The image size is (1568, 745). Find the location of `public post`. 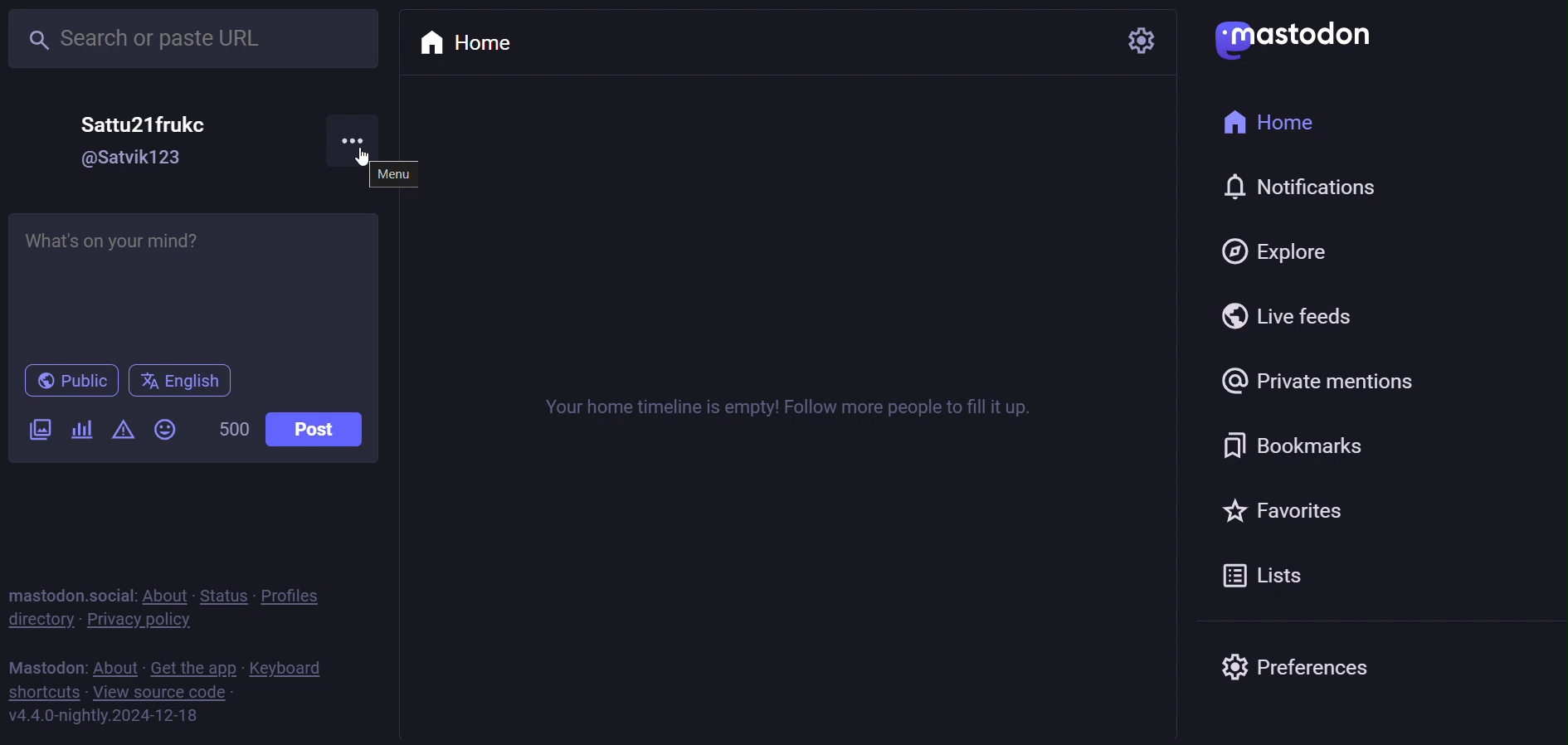

public post is located at coordinates (67, 379).